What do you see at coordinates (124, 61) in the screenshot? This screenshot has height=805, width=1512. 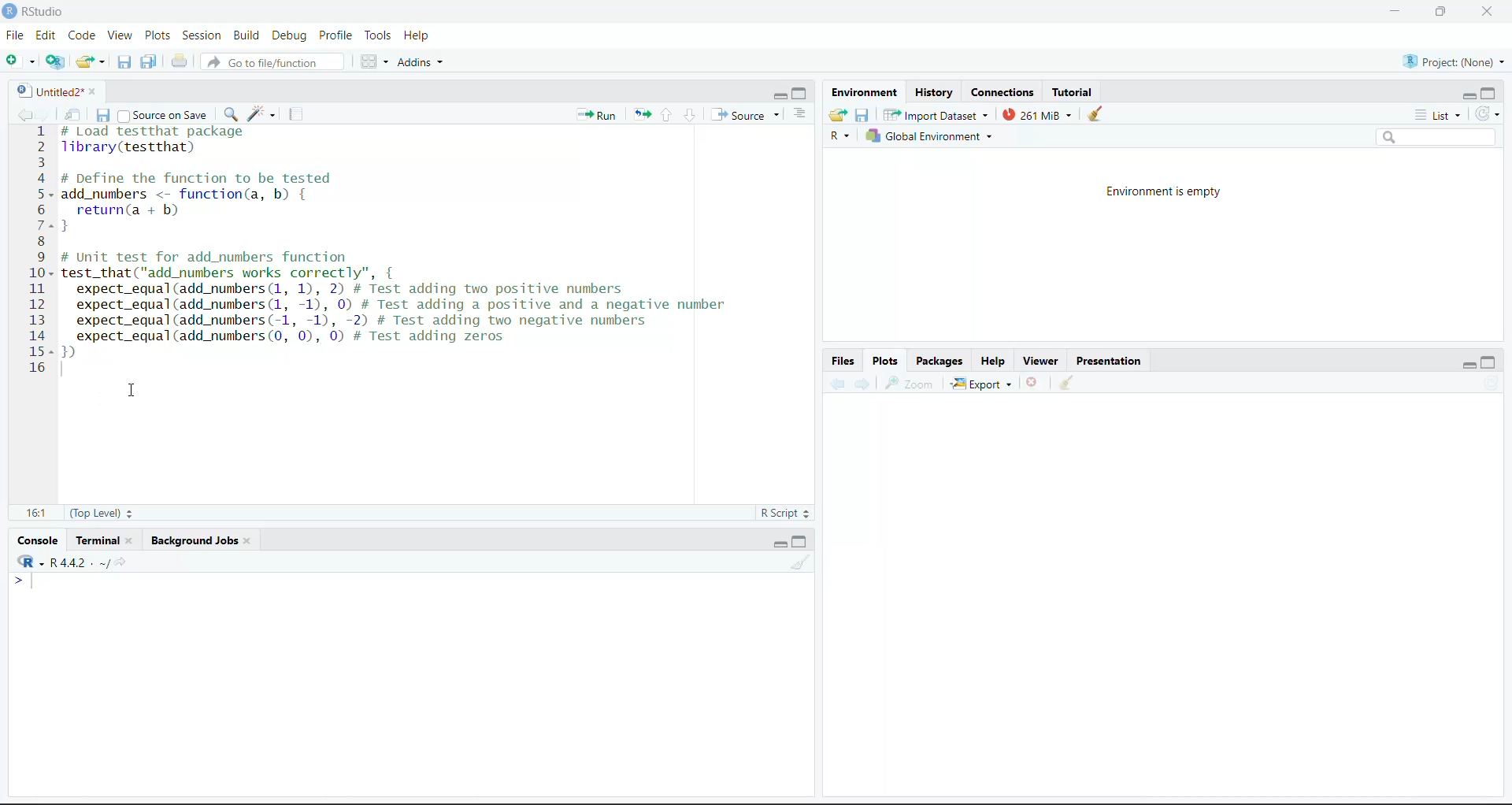 I see `Save the current document` at bounding box center [124, 61].